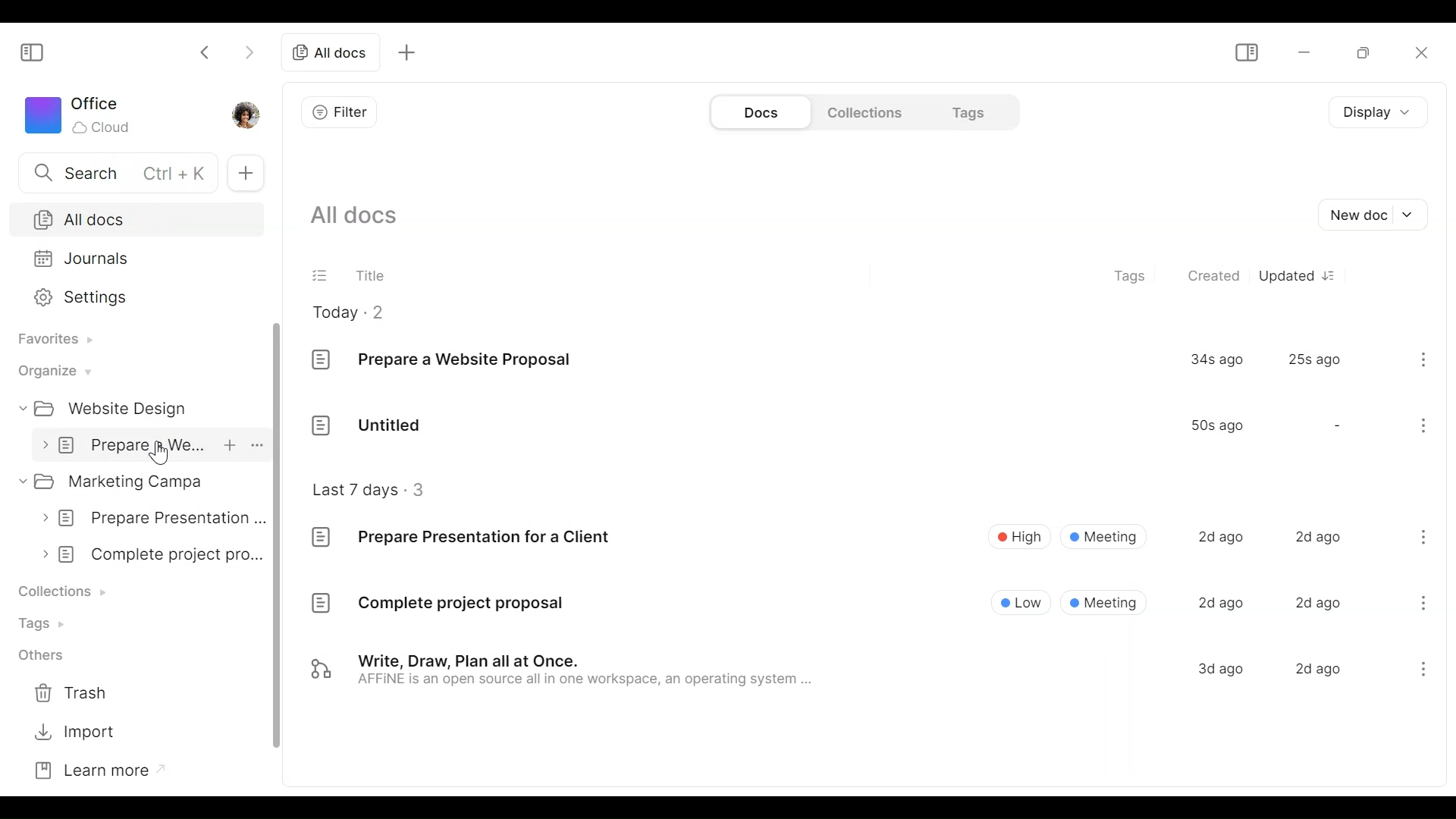 The width and height of the screenshot is (1456, 819). I want to click on Trash, so click(71, 690).